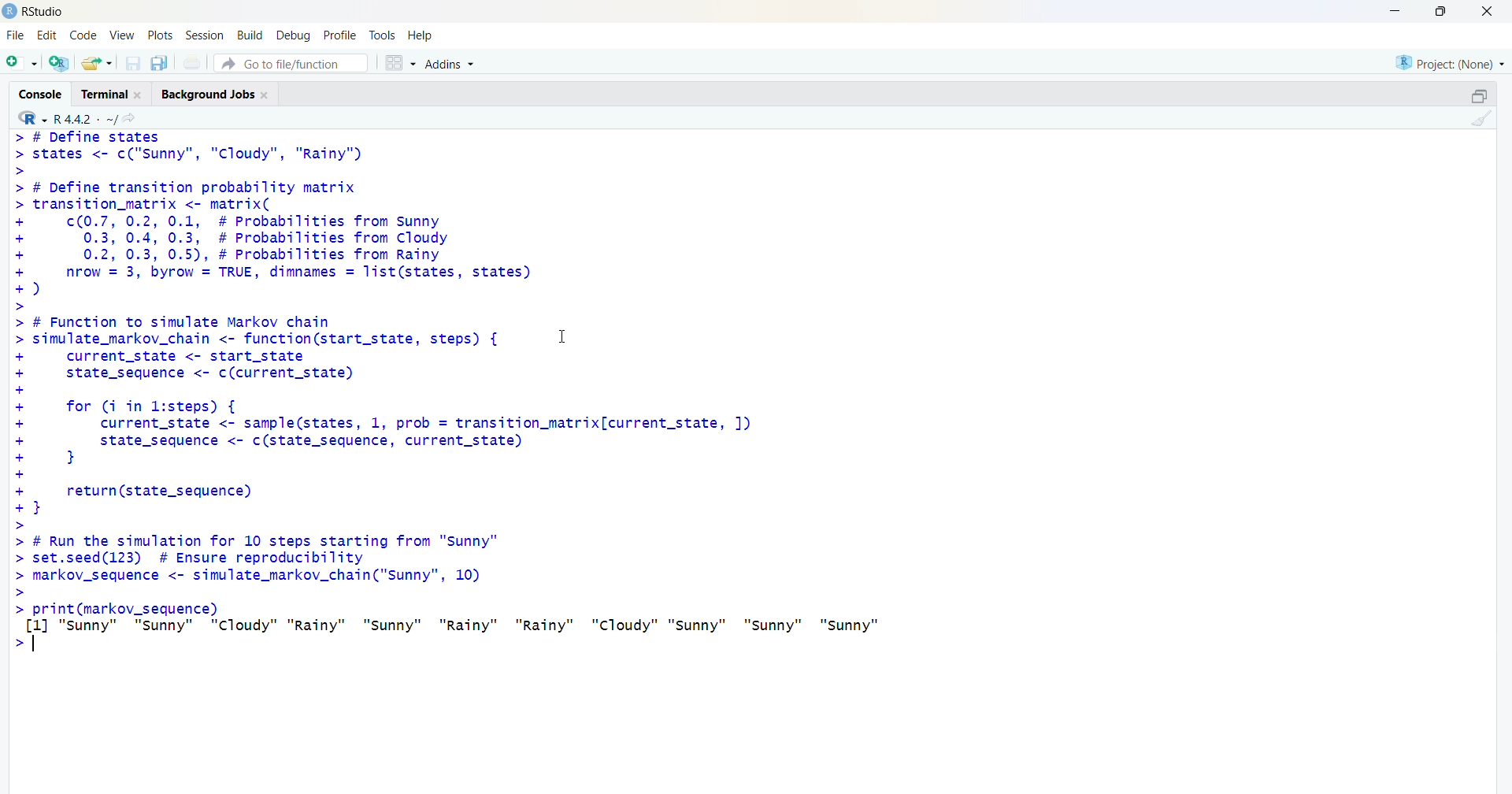 The width and height of the screenshot is (1512, 794). I want to click on [1] "sunny" "Sunny" "Cloudy" "Rainy" "Sunny" "Rainy" "Rainy" "Cloudy" "Sunny" "Sunny" "Sunny"
>|, so click(469, 638).